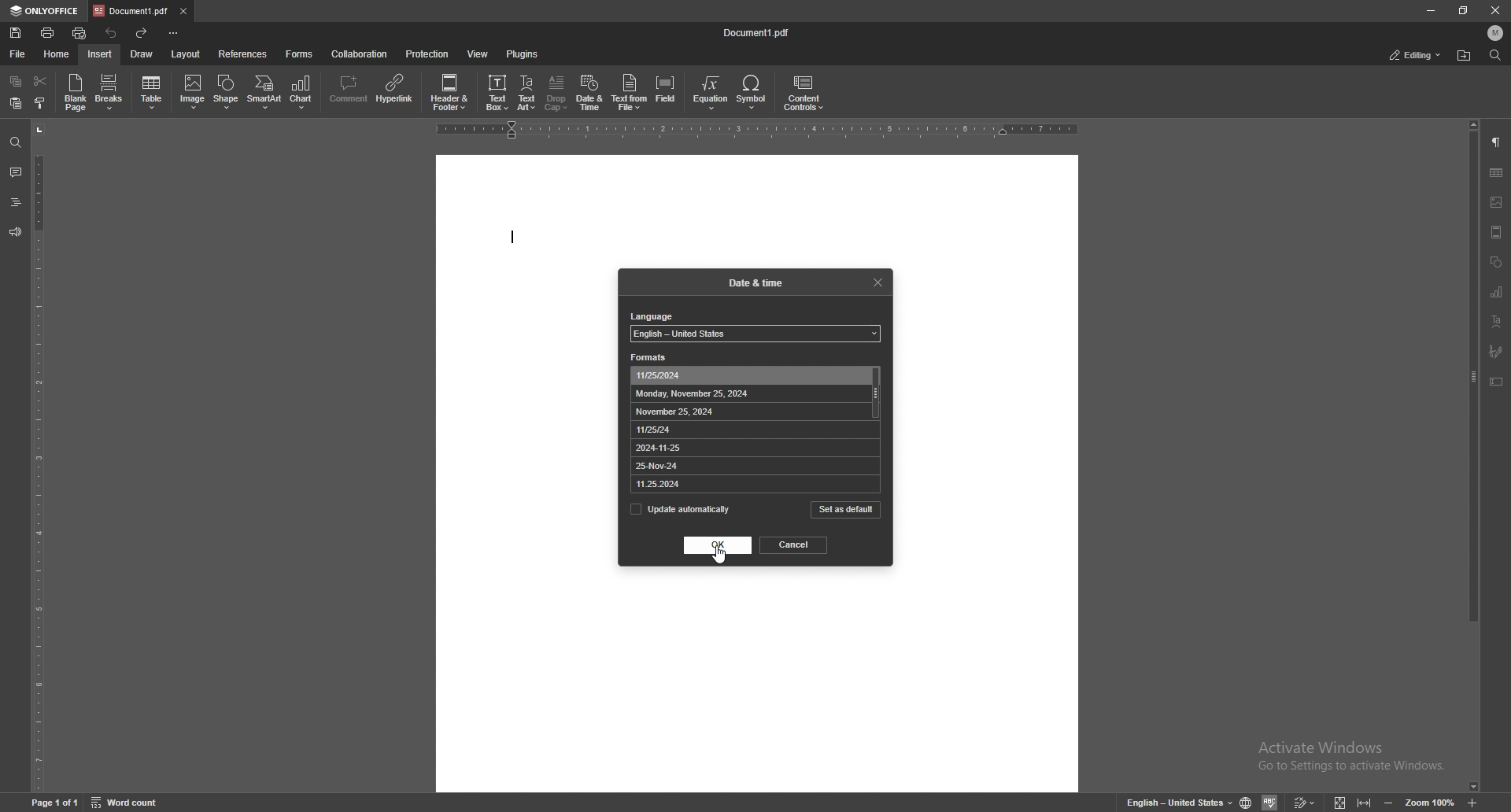 The height and width of the screenshot is (812, 1511). Describe the element at coordinates (654, 318) in the screenshot. I see `language` at that location.